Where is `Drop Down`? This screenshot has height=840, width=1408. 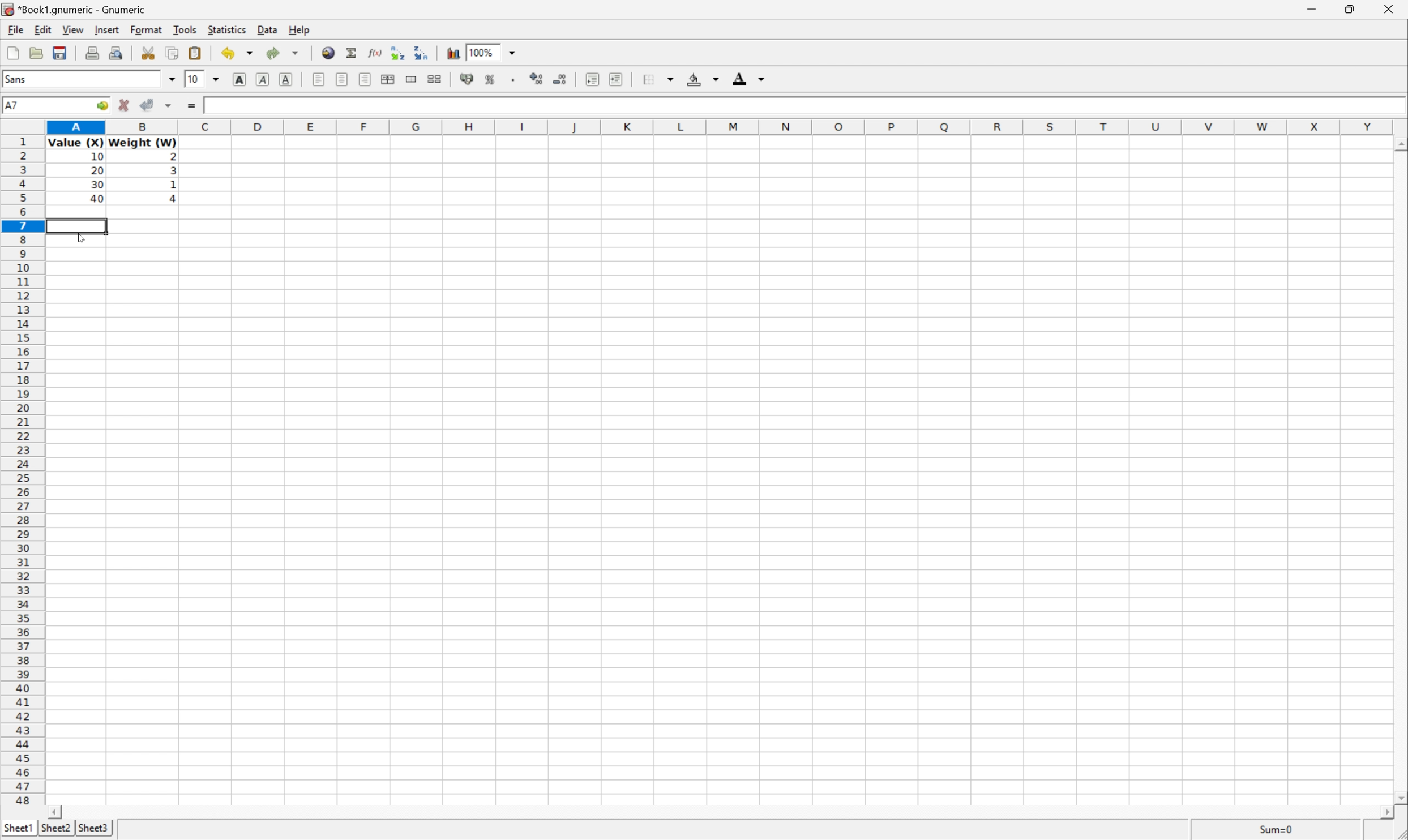 Drop Down is located at coordinates (217, 77).